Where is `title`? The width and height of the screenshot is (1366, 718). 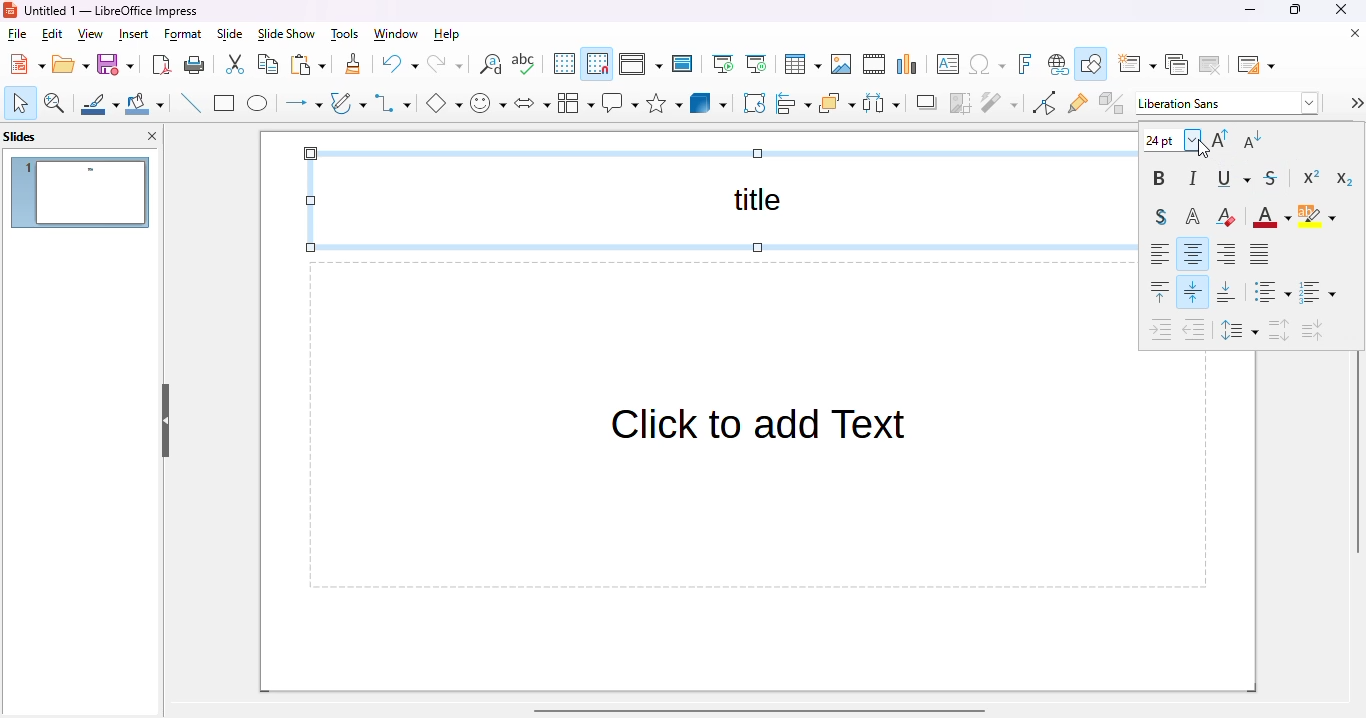 title is located at coordinates (715, 201).